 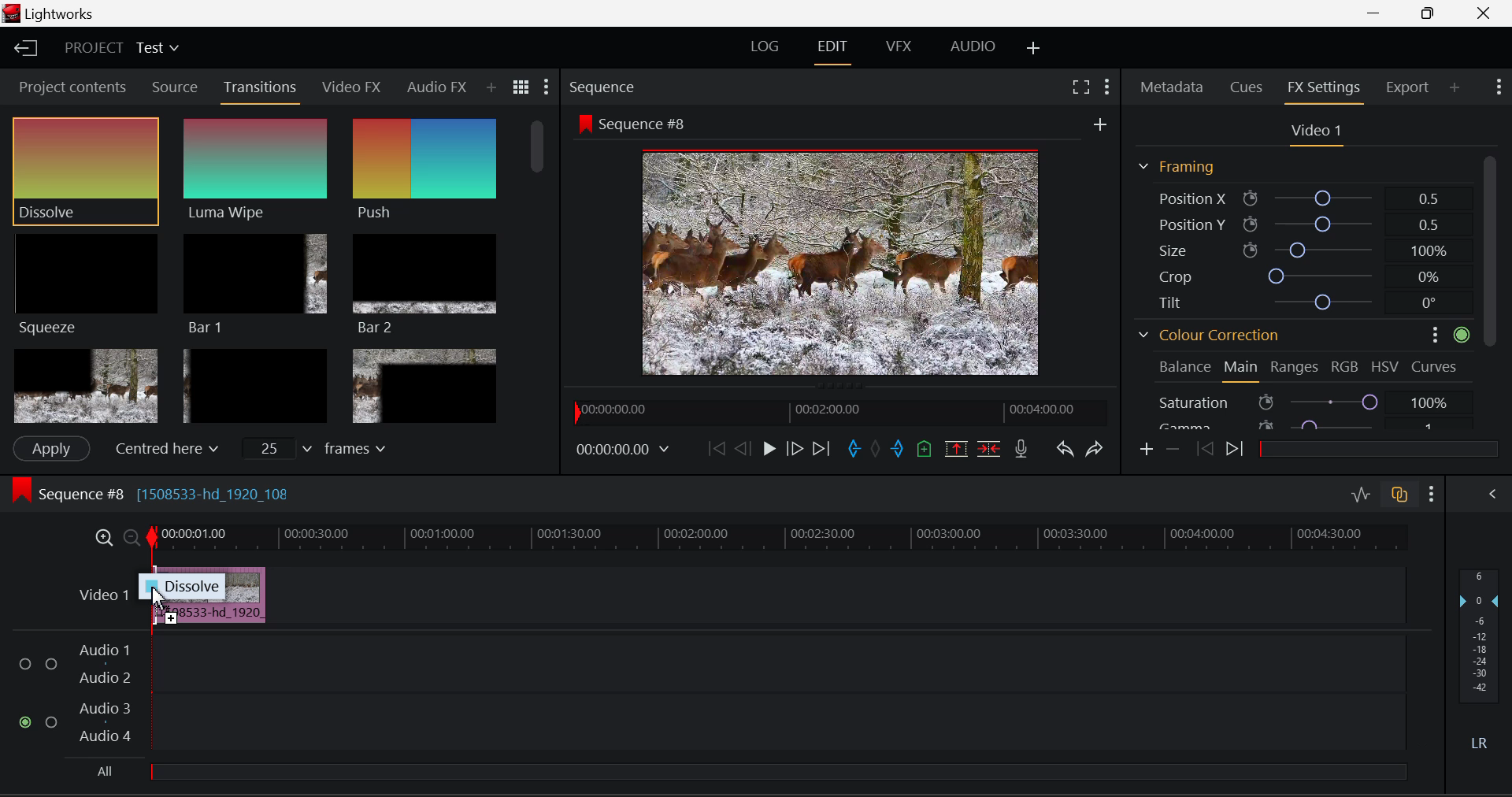 What do you see at coordinates (1501, 87) in the screenshot?
I see `Show Settings` at bounding box center [1501, 87].